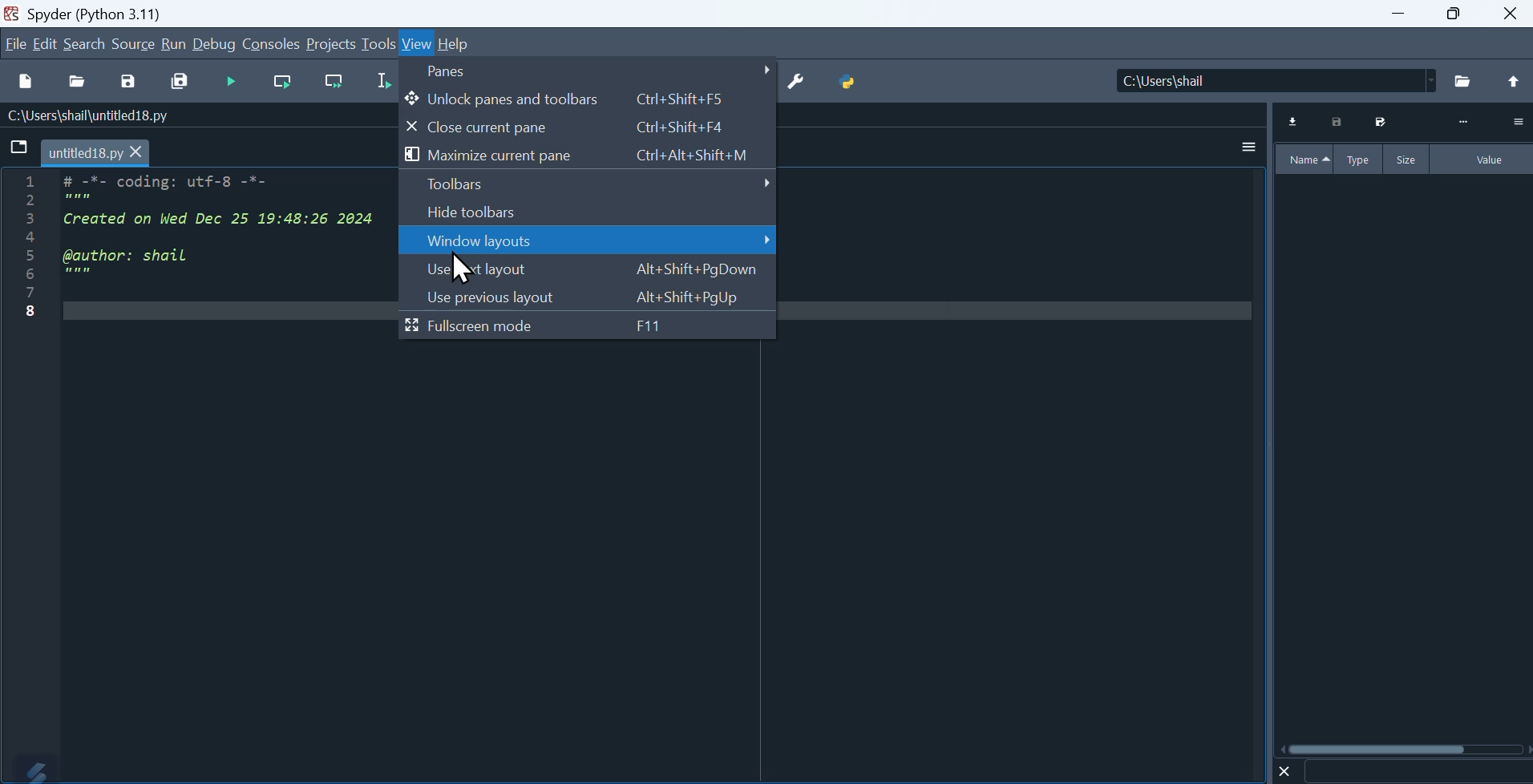  What do you see at coordinates (85, 117) in the screenshot?
I see `C:\Users\shail\untitled18.py` at bounding box center [85, 117].